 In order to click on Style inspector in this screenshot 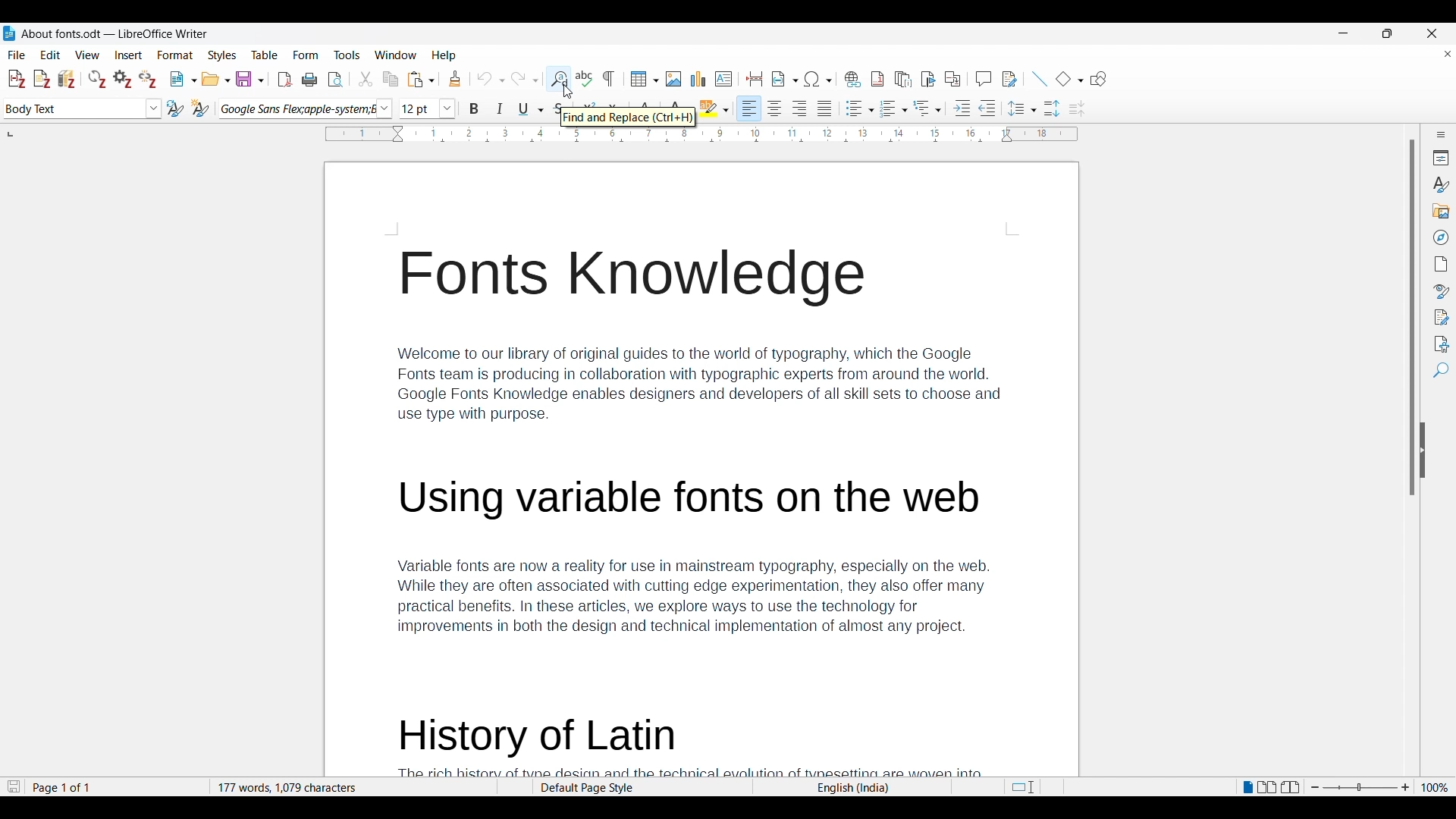, I will do `click(1440, 292)`.